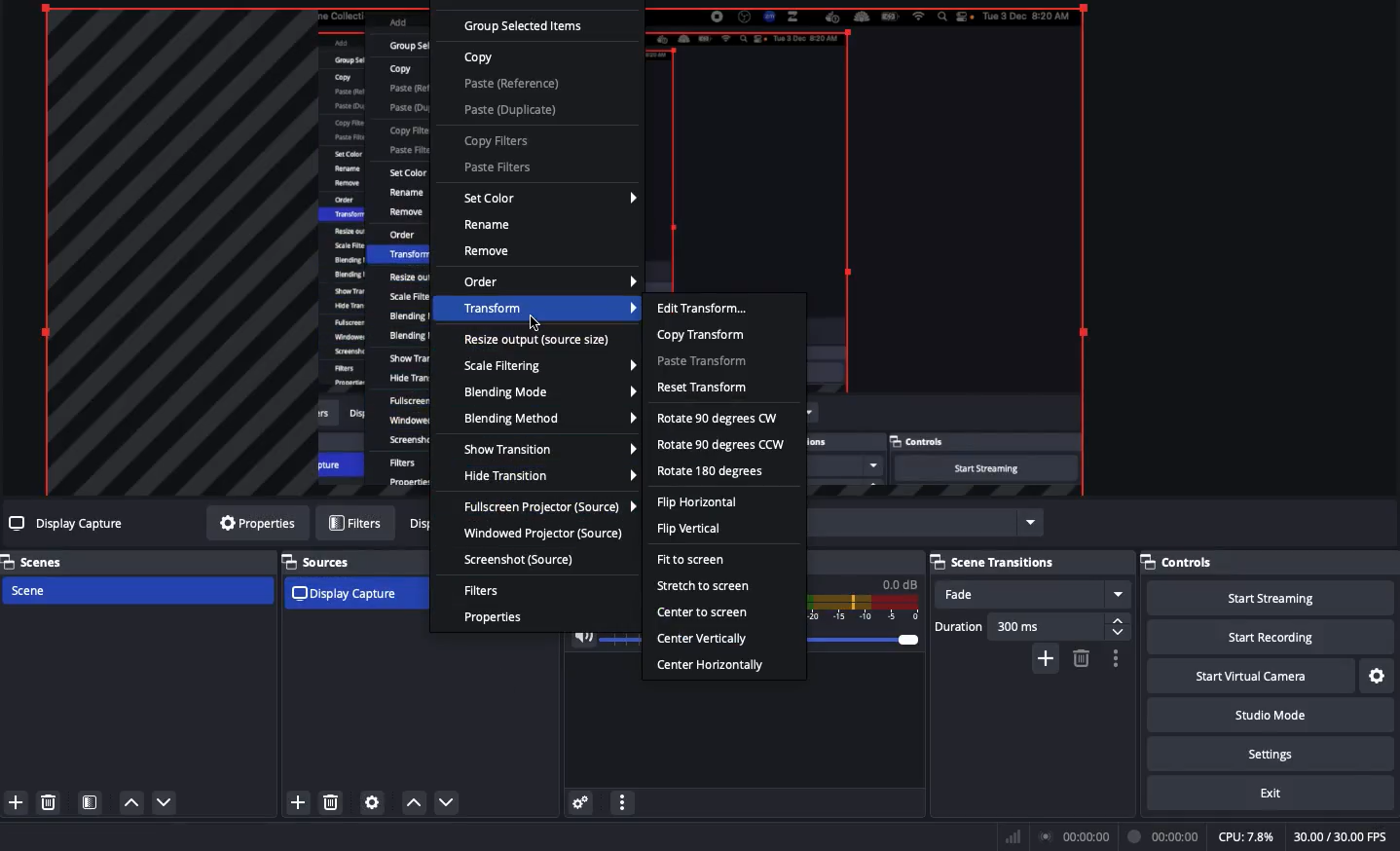 Image resolution: width=1400 pixels, height=851 pixels. I want to click on Order, so click(549, 282).